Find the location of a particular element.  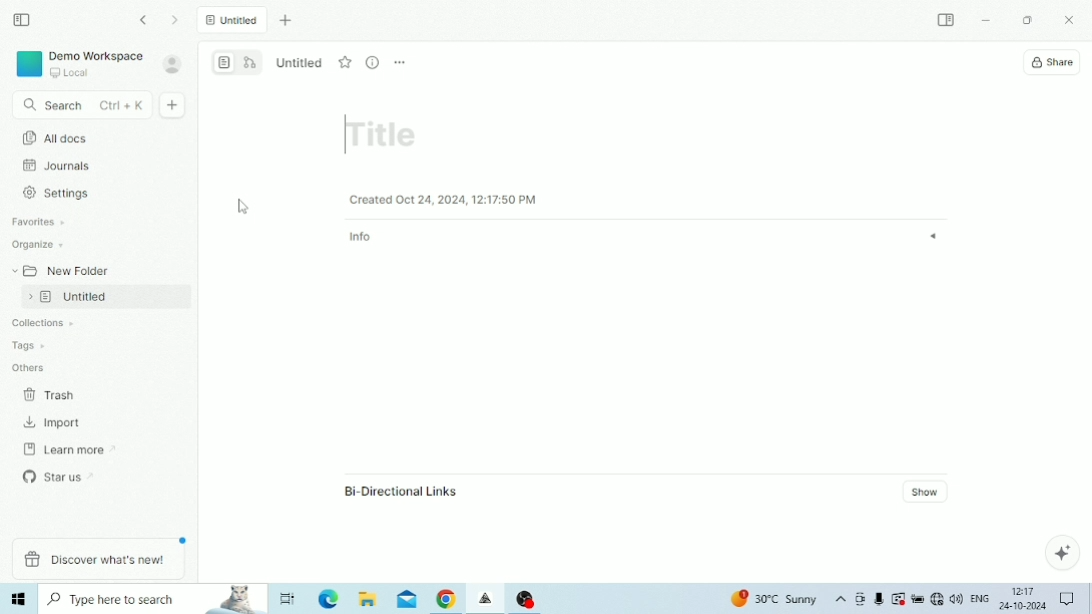

Trash is located at coordinates (55, 394).